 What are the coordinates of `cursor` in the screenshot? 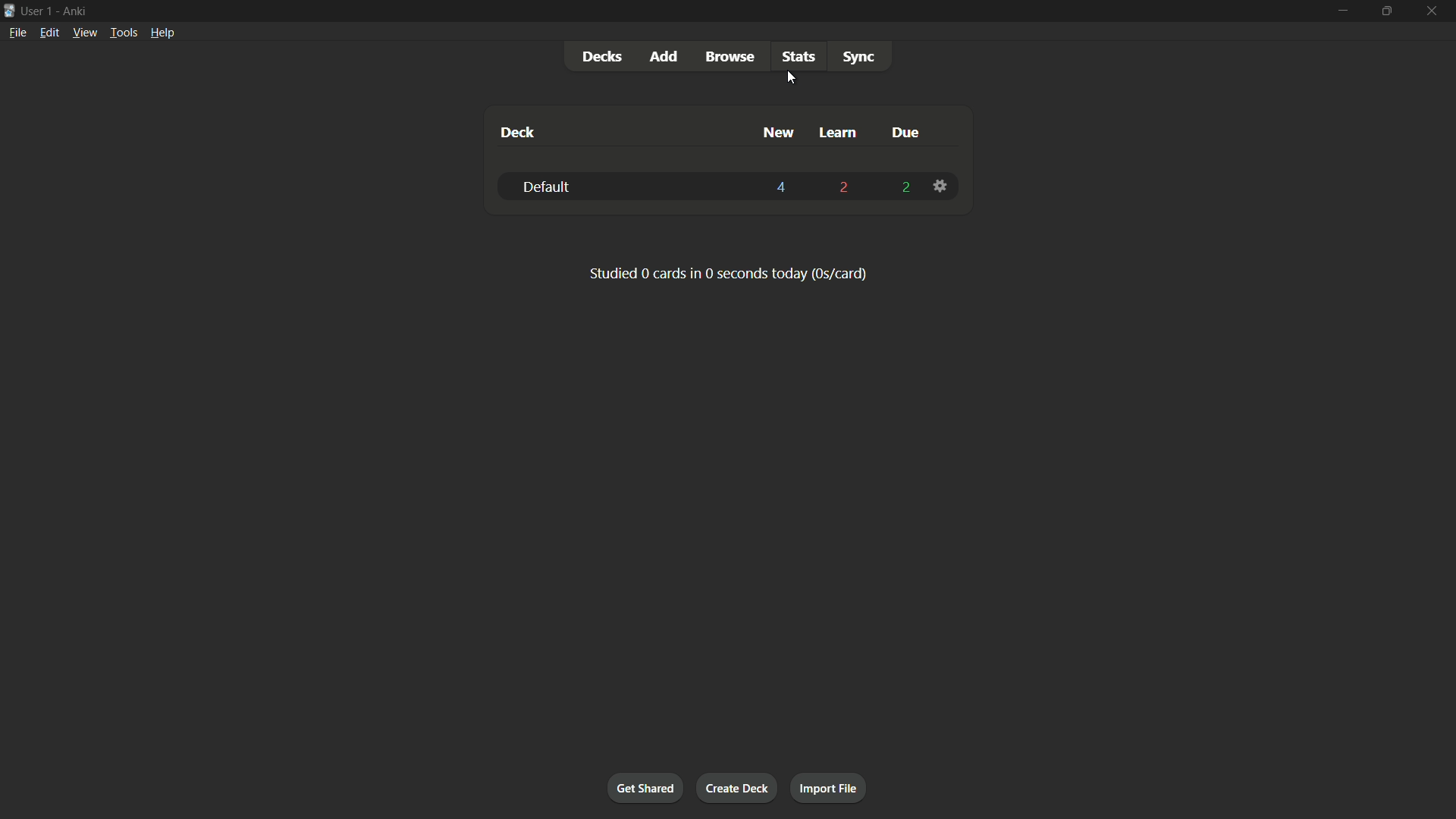 It's located at (791, 79).